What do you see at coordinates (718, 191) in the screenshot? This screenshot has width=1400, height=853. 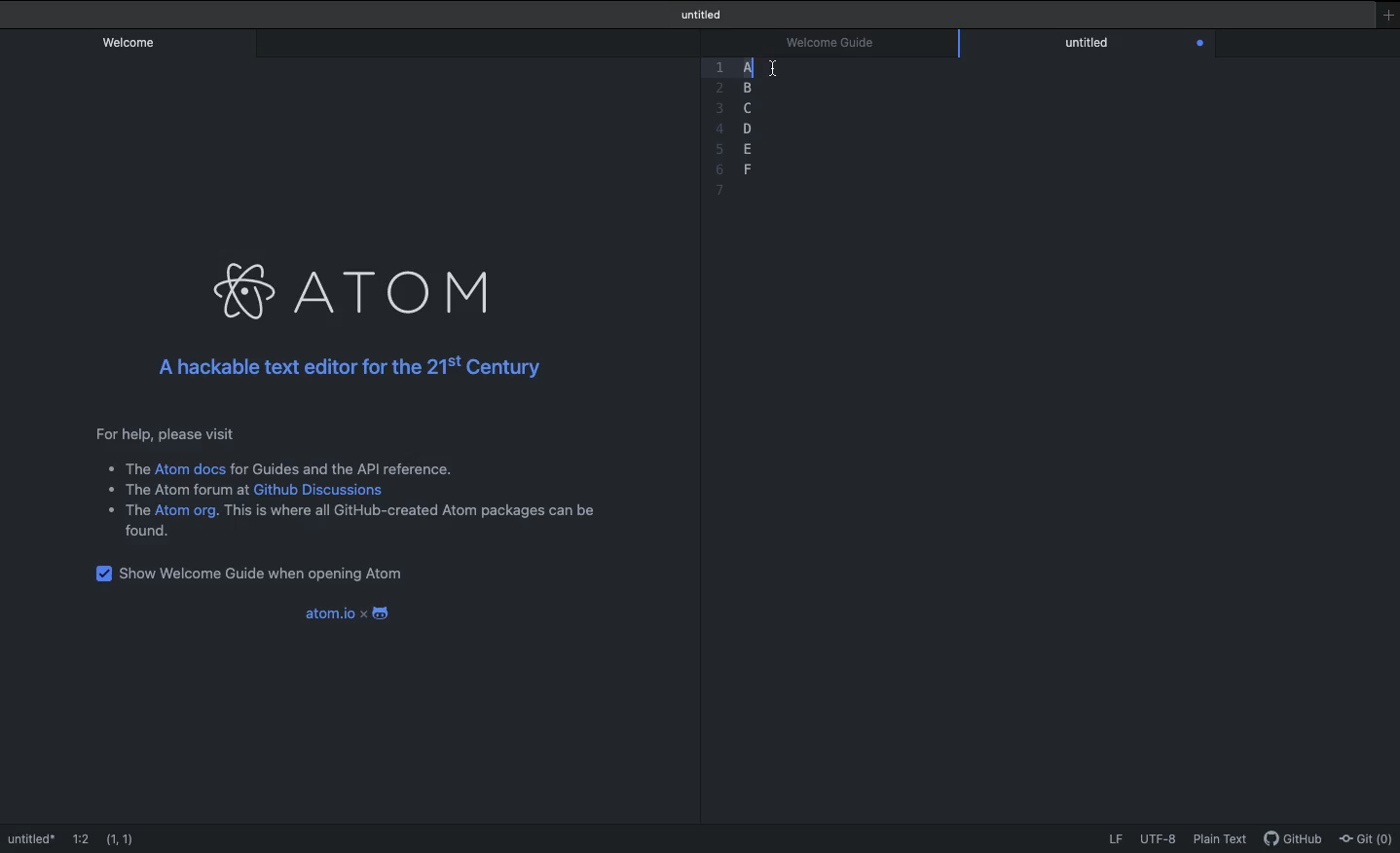 I see `7` at bounding box center [718, 191].